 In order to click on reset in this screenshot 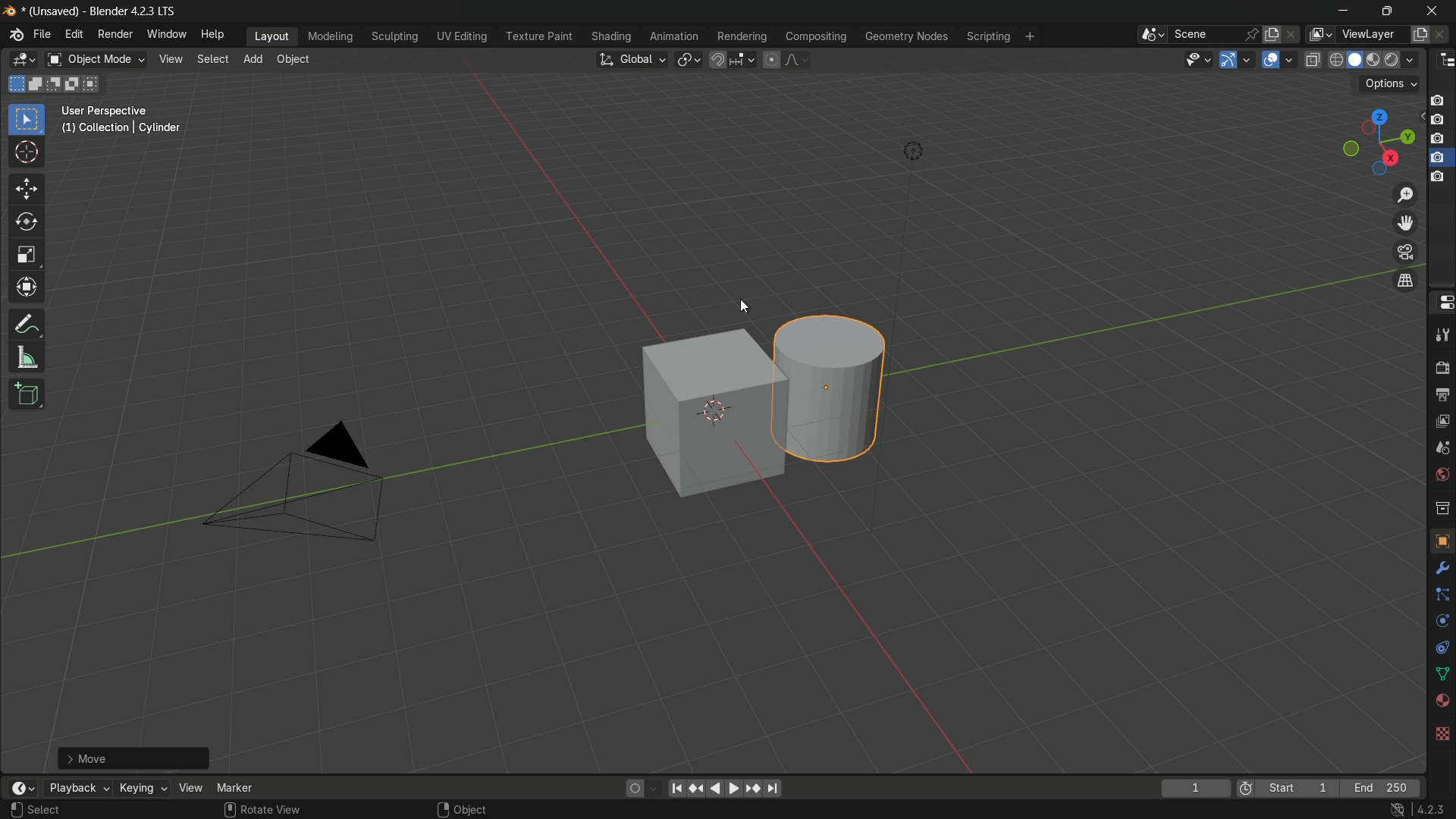, I will do `click(698, 789)`.